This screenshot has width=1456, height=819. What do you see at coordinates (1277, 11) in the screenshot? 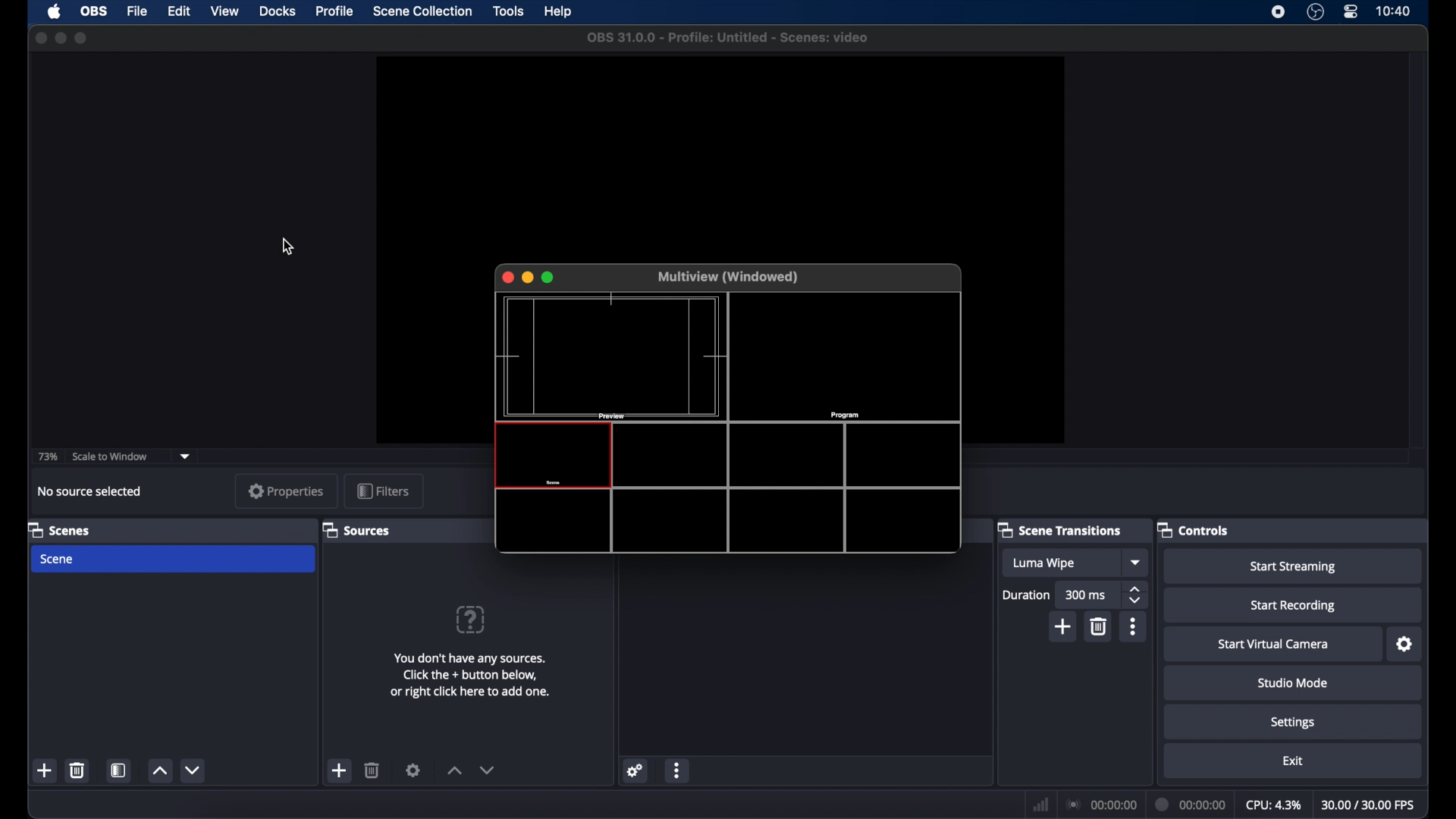
I see `screen recorder icon` at bounding box center [1277, 11].